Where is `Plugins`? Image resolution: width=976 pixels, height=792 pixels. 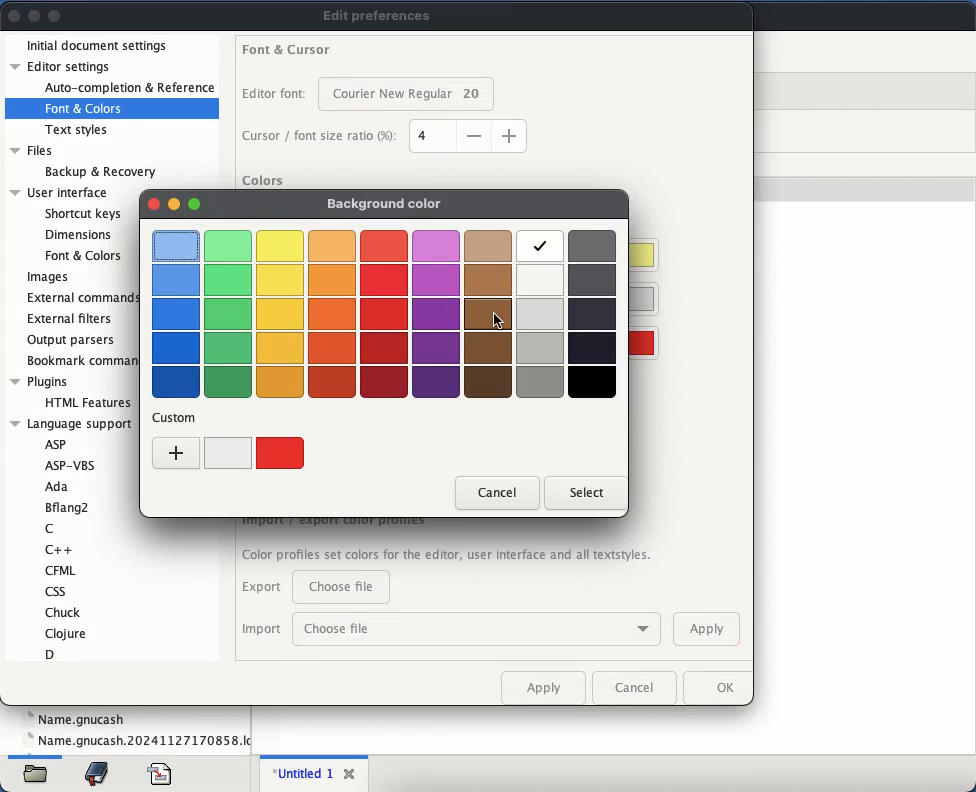
Plugins is located at coordinates (40, 381).